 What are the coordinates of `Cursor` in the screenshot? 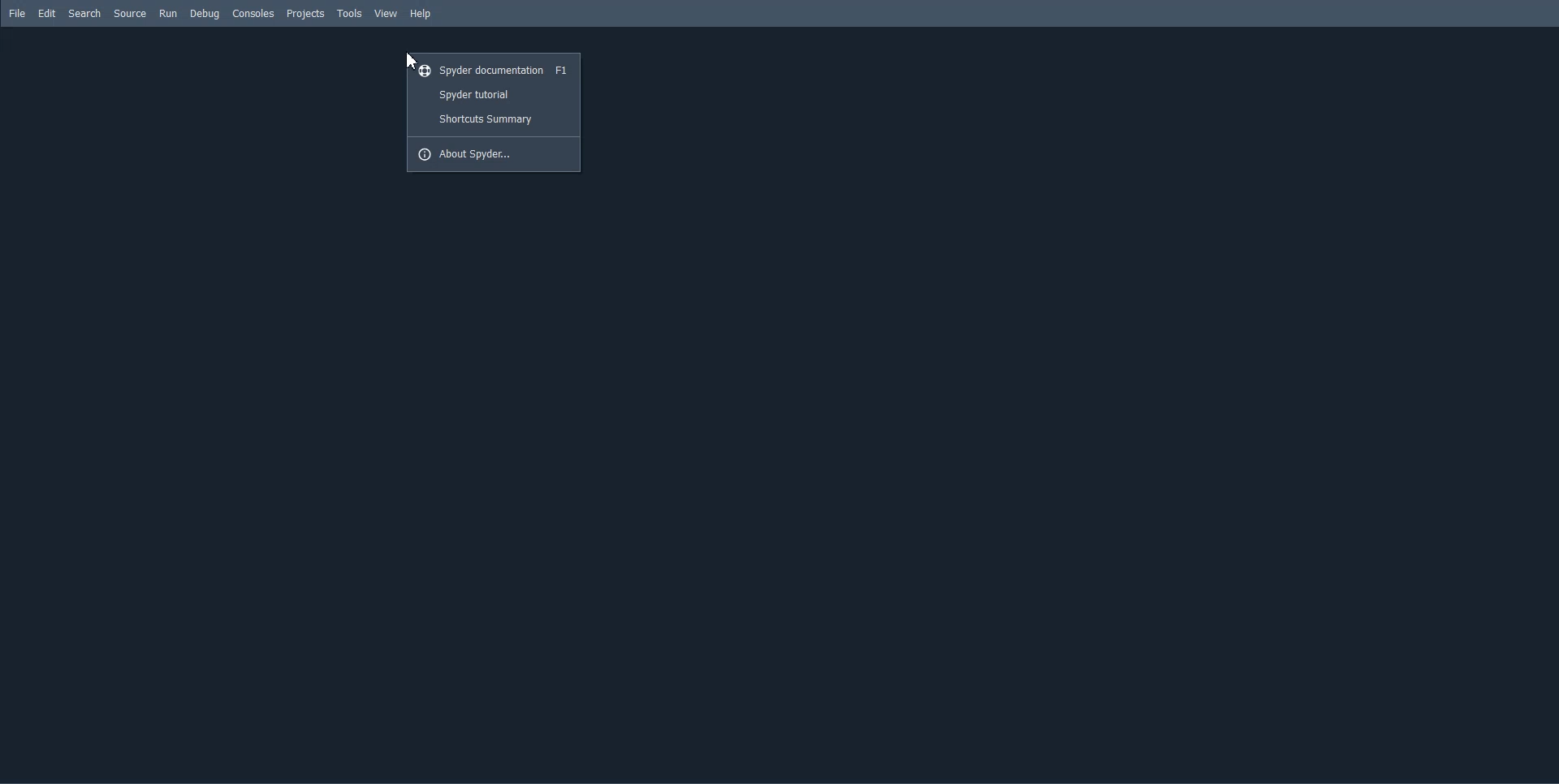 It's located at (412, 61).